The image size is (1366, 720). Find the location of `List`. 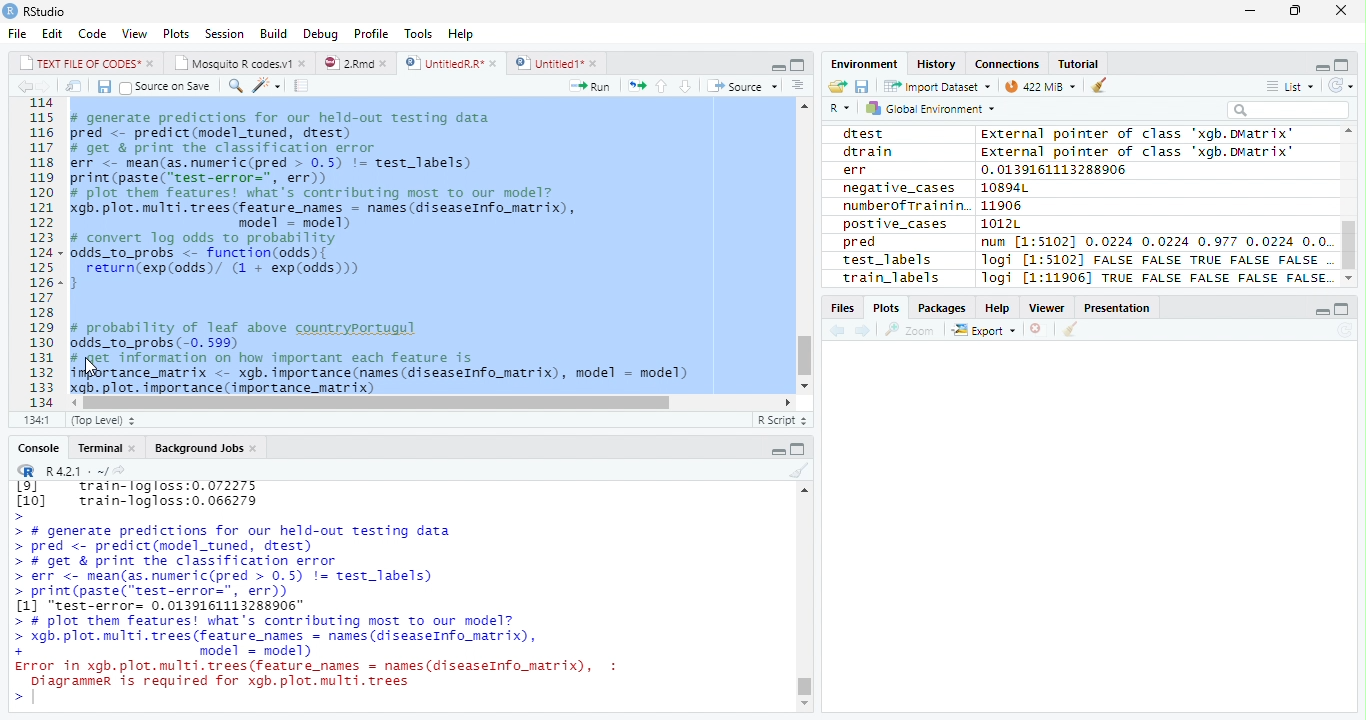

List is located at coordinates (1289, 85).